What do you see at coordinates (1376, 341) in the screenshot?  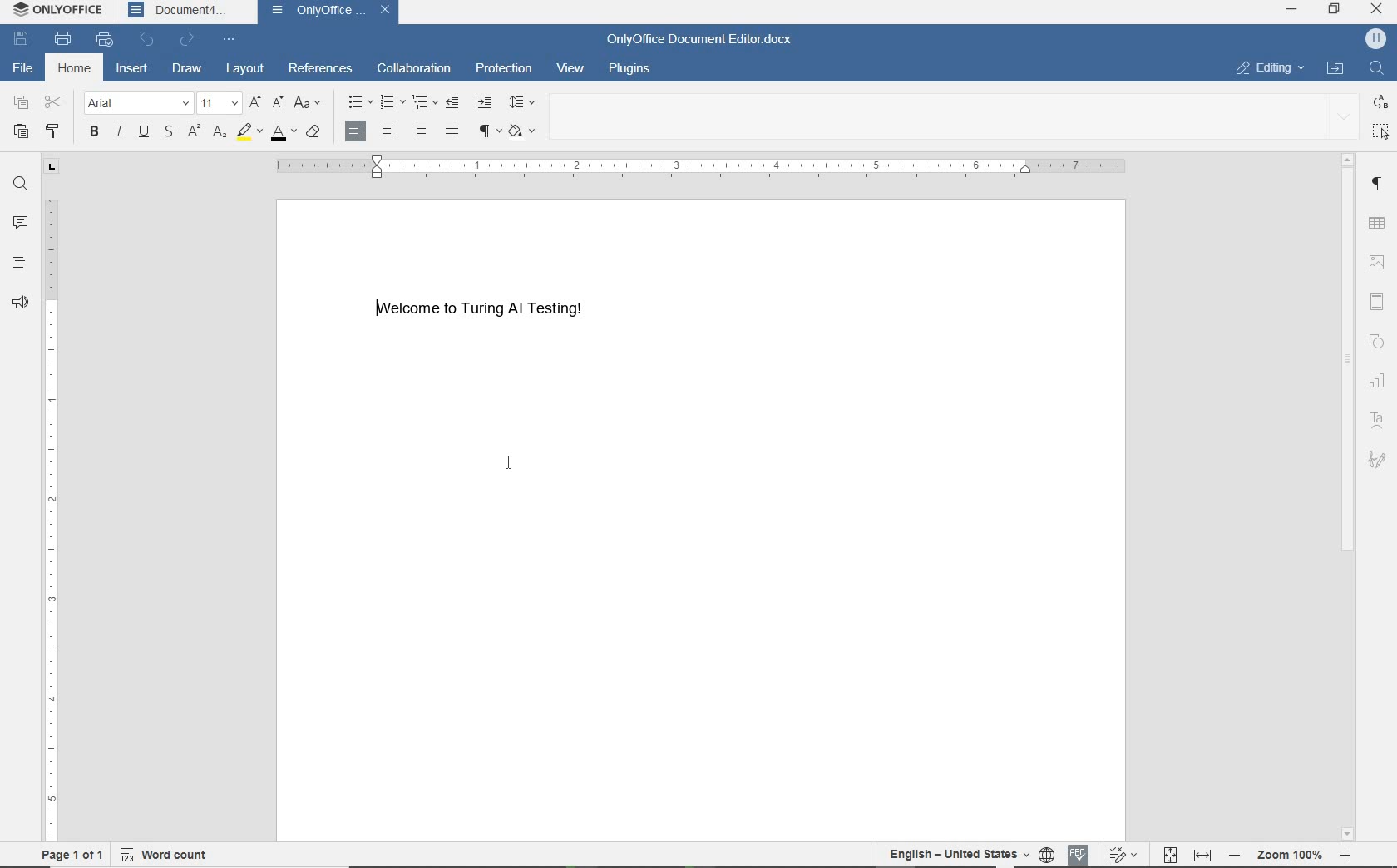 I see `shape` at bounding box center [1376, 341].